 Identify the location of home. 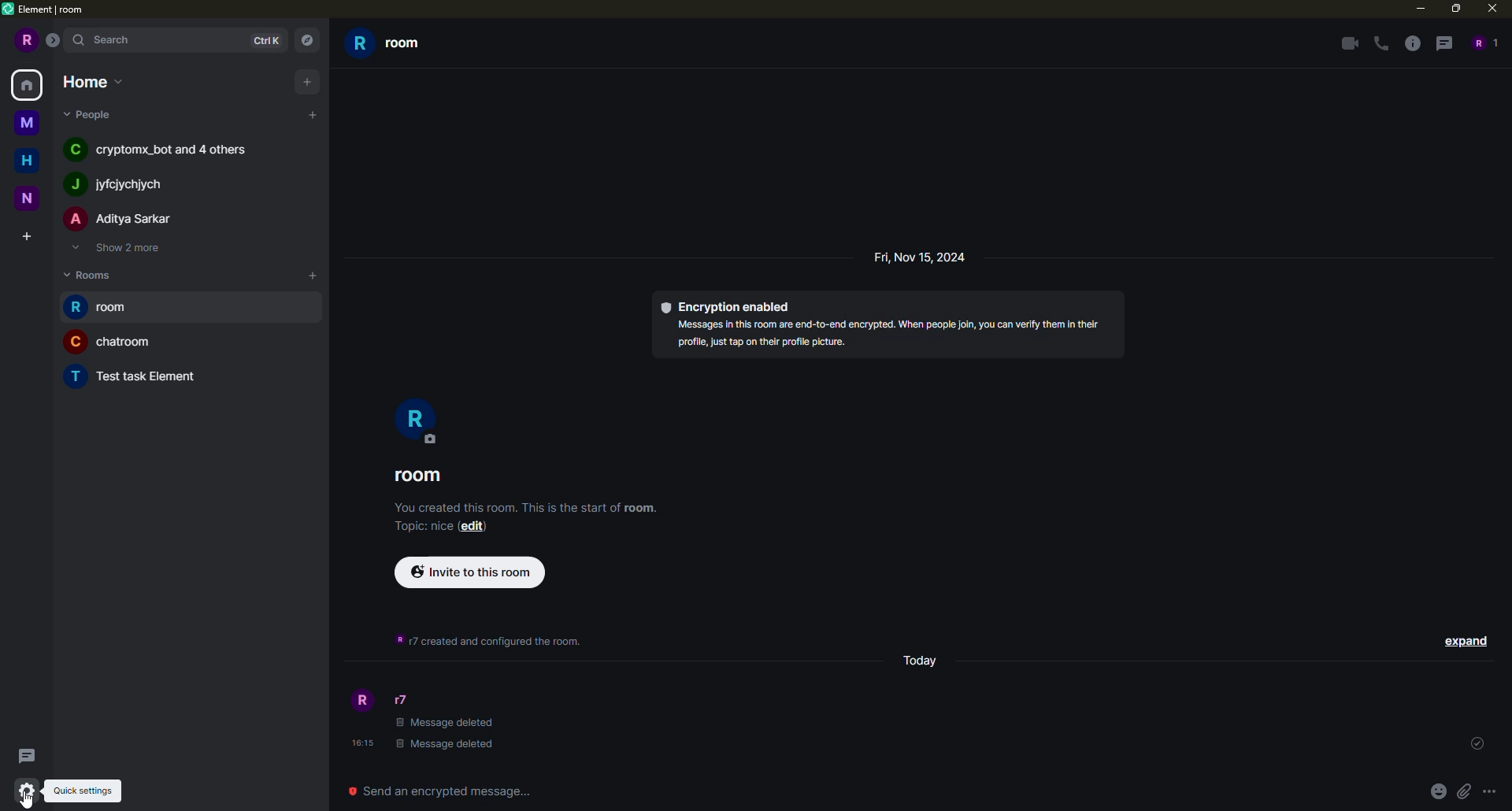
(94, 80).